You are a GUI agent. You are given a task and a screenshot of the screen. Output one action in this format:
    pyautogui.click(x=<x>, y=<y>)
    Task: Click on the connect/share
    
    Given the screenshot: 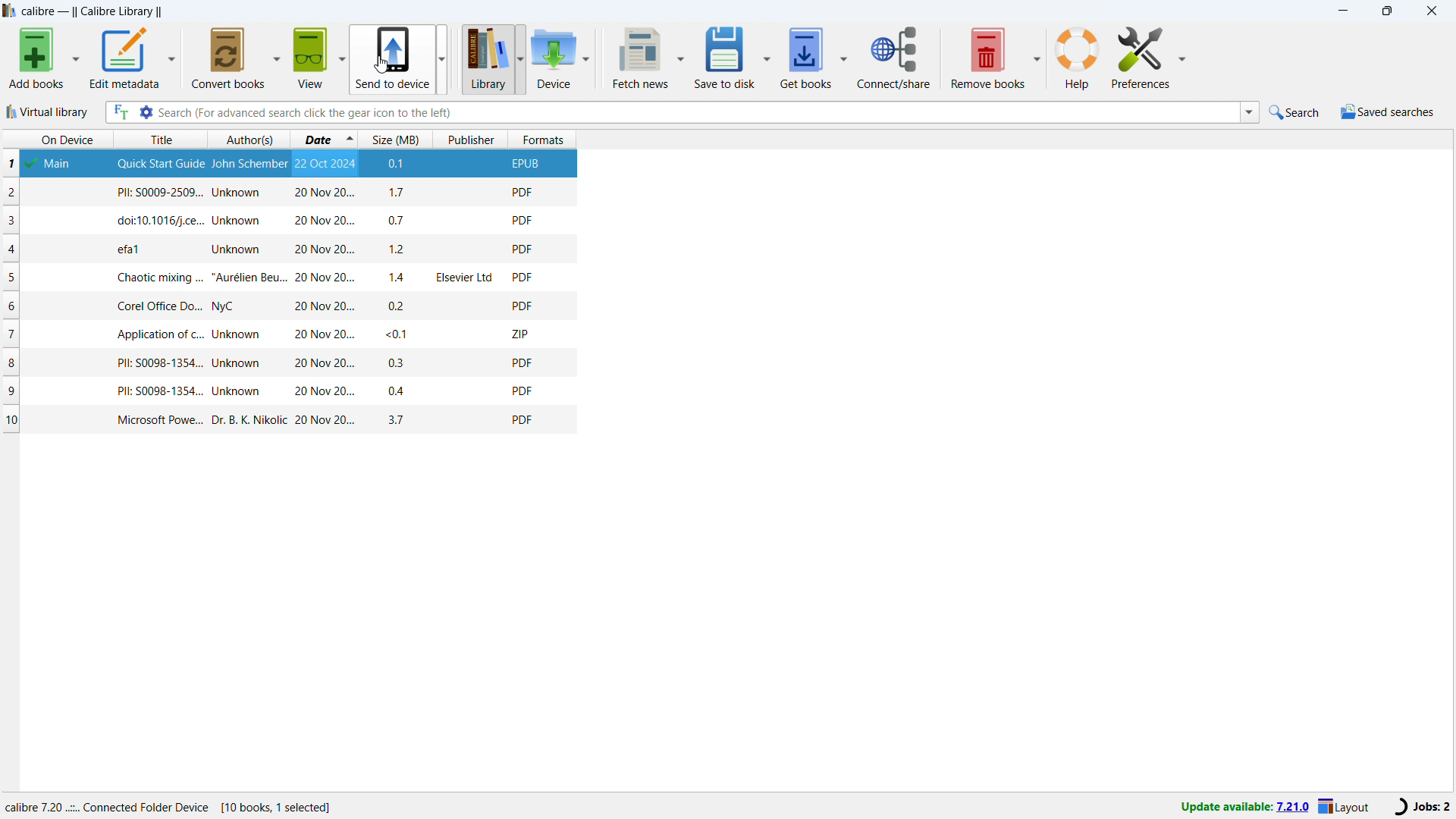 What is the action you would take?
    pyautogui.click(x=893, y=58)
    